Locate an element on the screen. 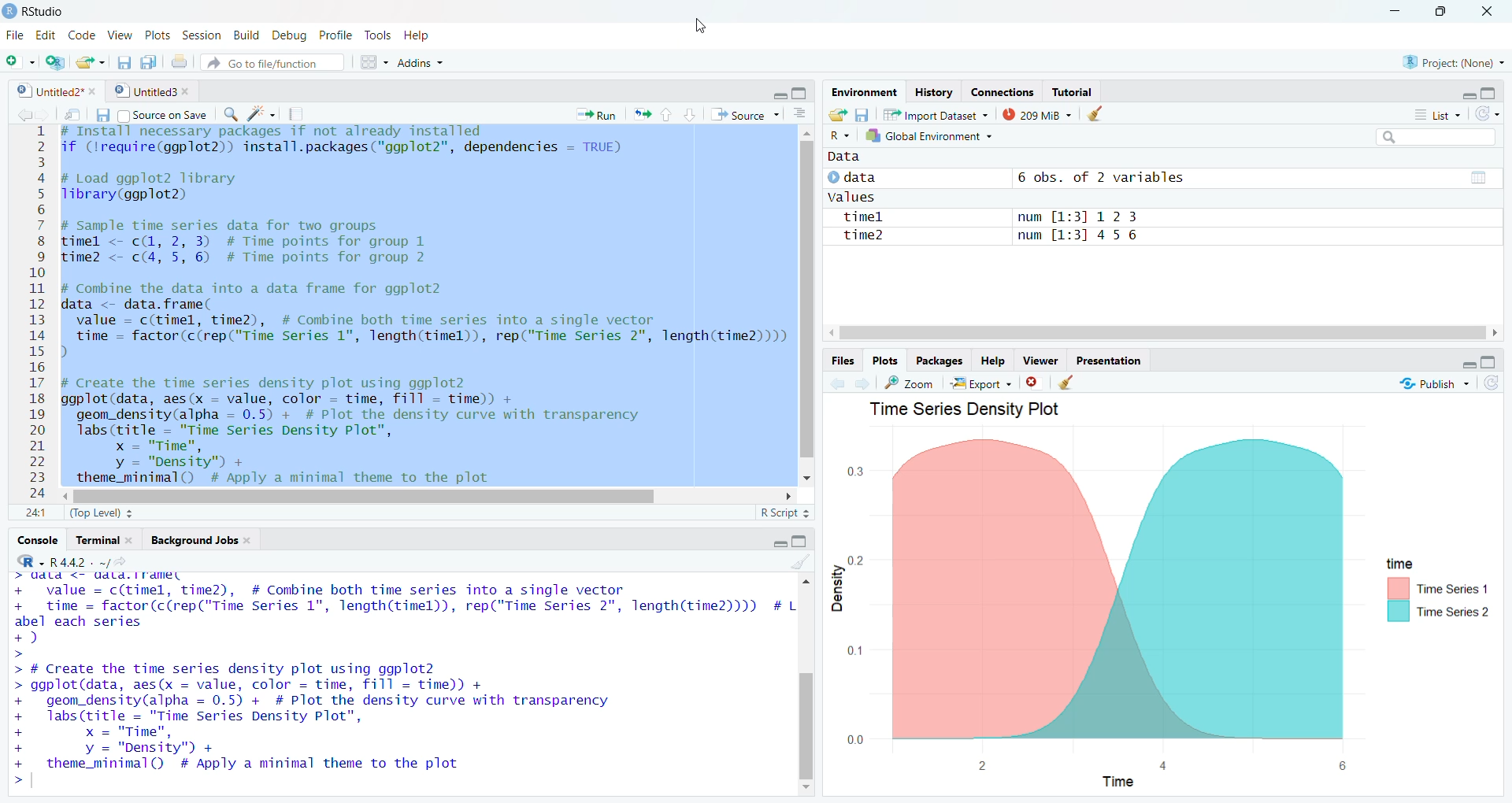  Tools is located at coordinates (376, 36).